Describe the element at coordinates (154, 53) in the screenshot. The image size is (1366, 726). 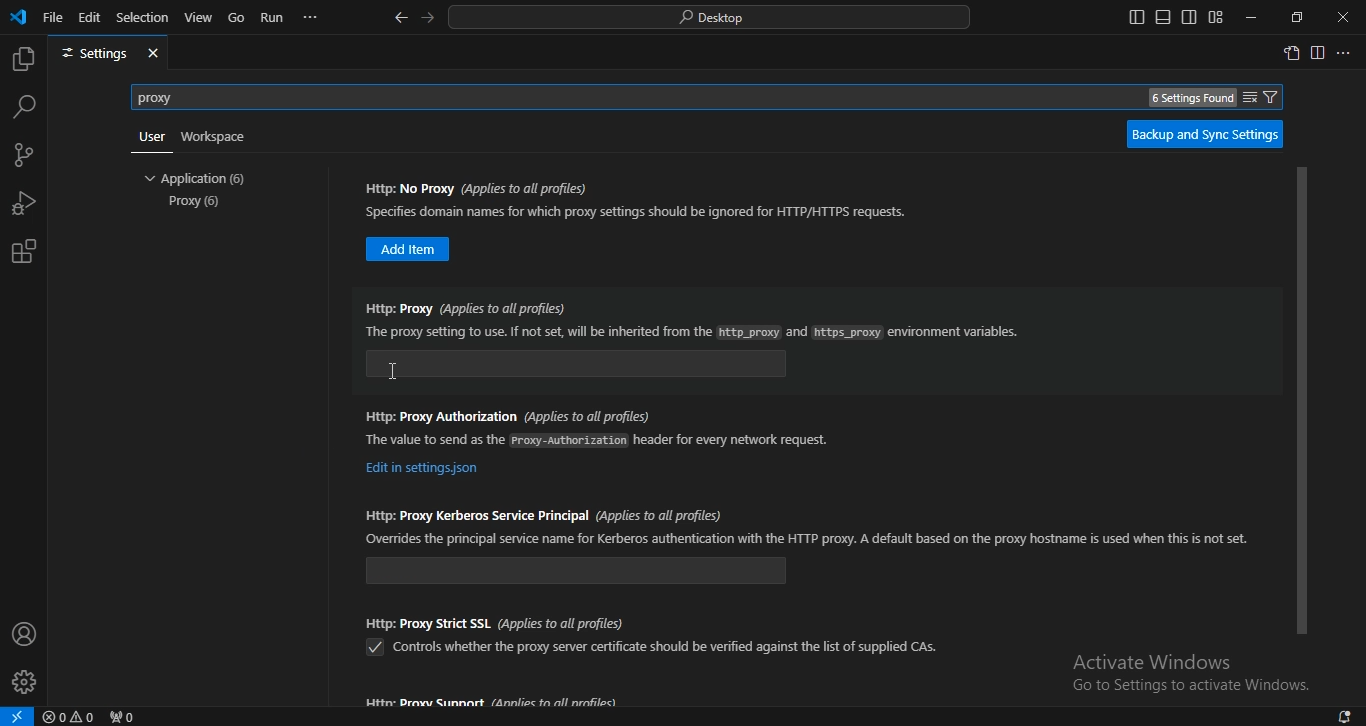
I see `close` at that location.